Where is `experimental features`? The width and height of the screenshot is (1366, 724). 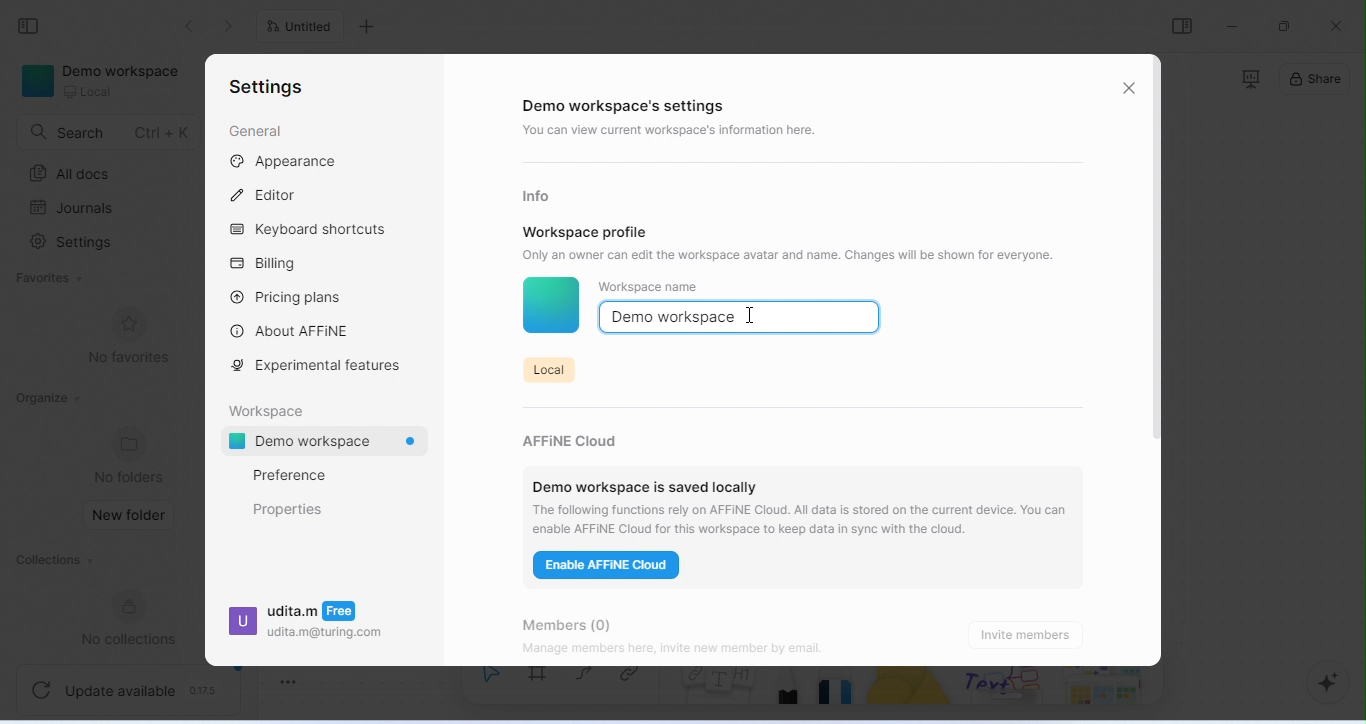
experimental features is located at coordinates (321, 366).